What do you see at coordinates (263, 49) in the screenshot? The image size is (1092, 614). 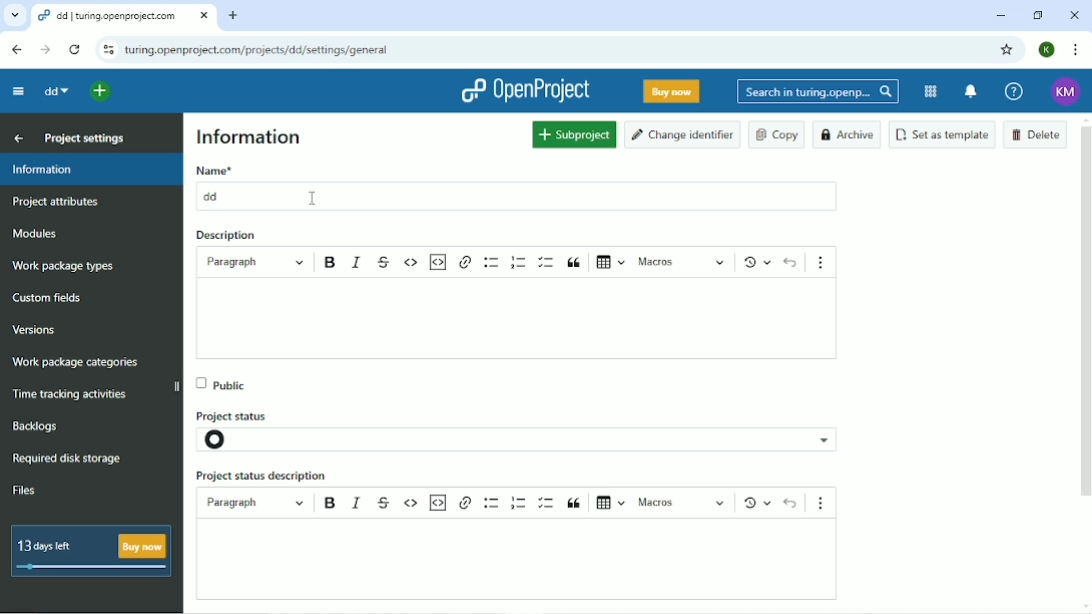 I see `turing.openprojects.com/projects/dd/settings/general` at bounding box center [263, 49].